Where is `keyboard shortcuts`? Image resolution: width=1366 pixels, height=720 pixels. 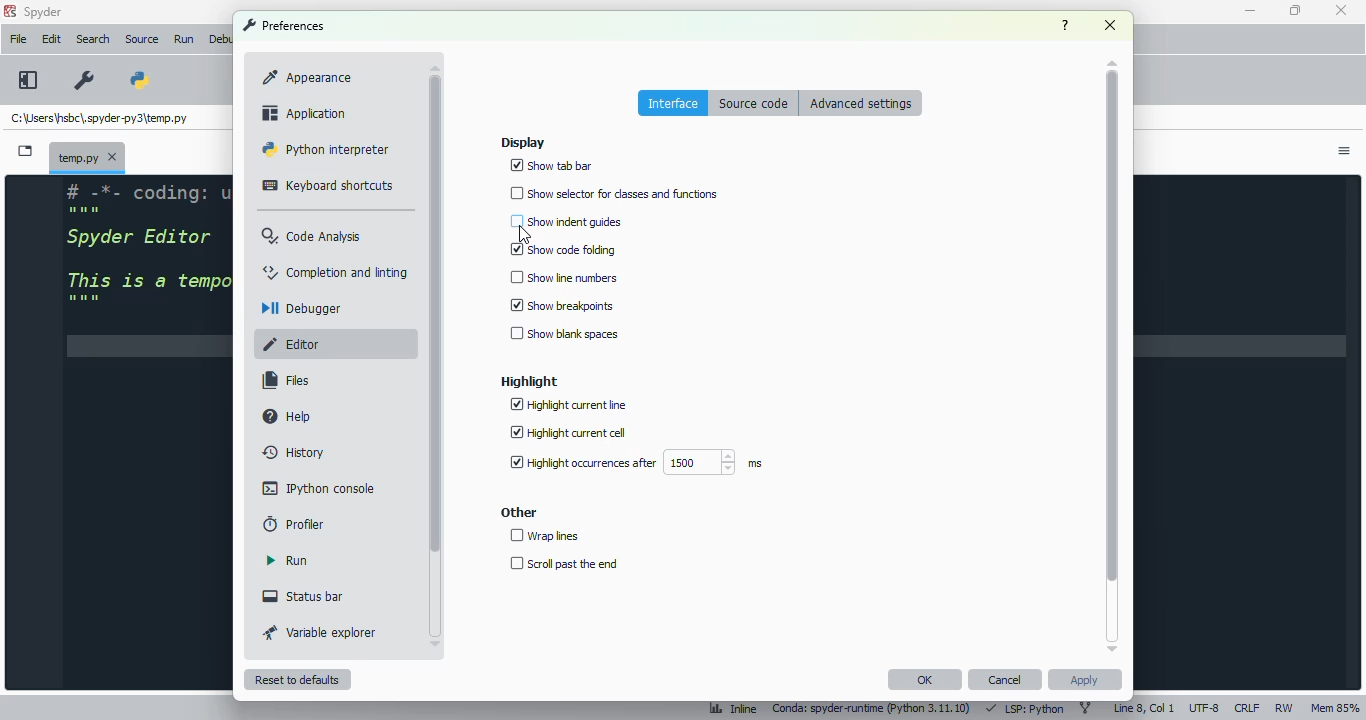
keyboard shortcuts is located at coordinates (330, 185).